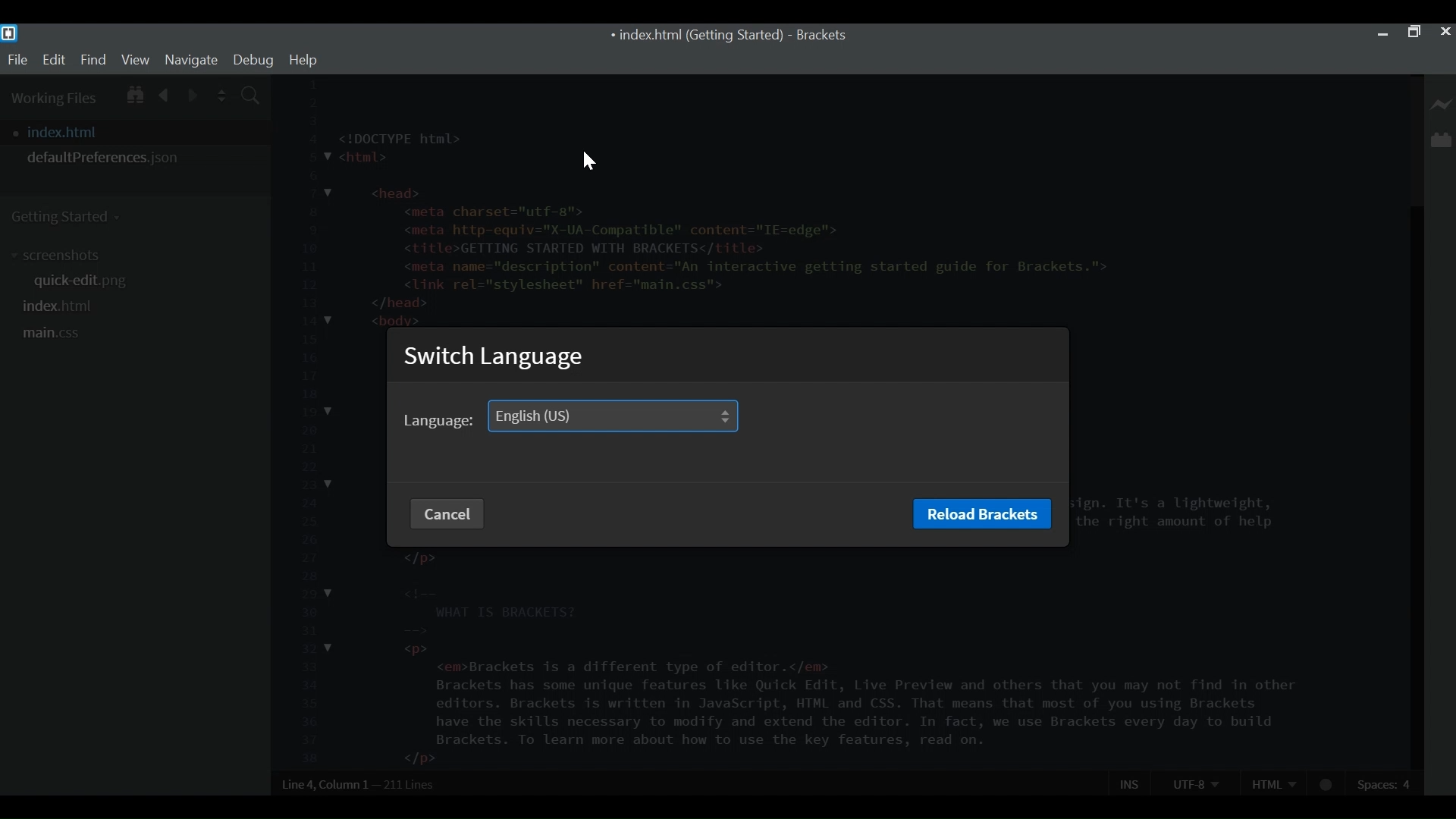 The height and width of the screenshot is (819, 1456). I want to click on Reload Brackets, so click(981, 513).